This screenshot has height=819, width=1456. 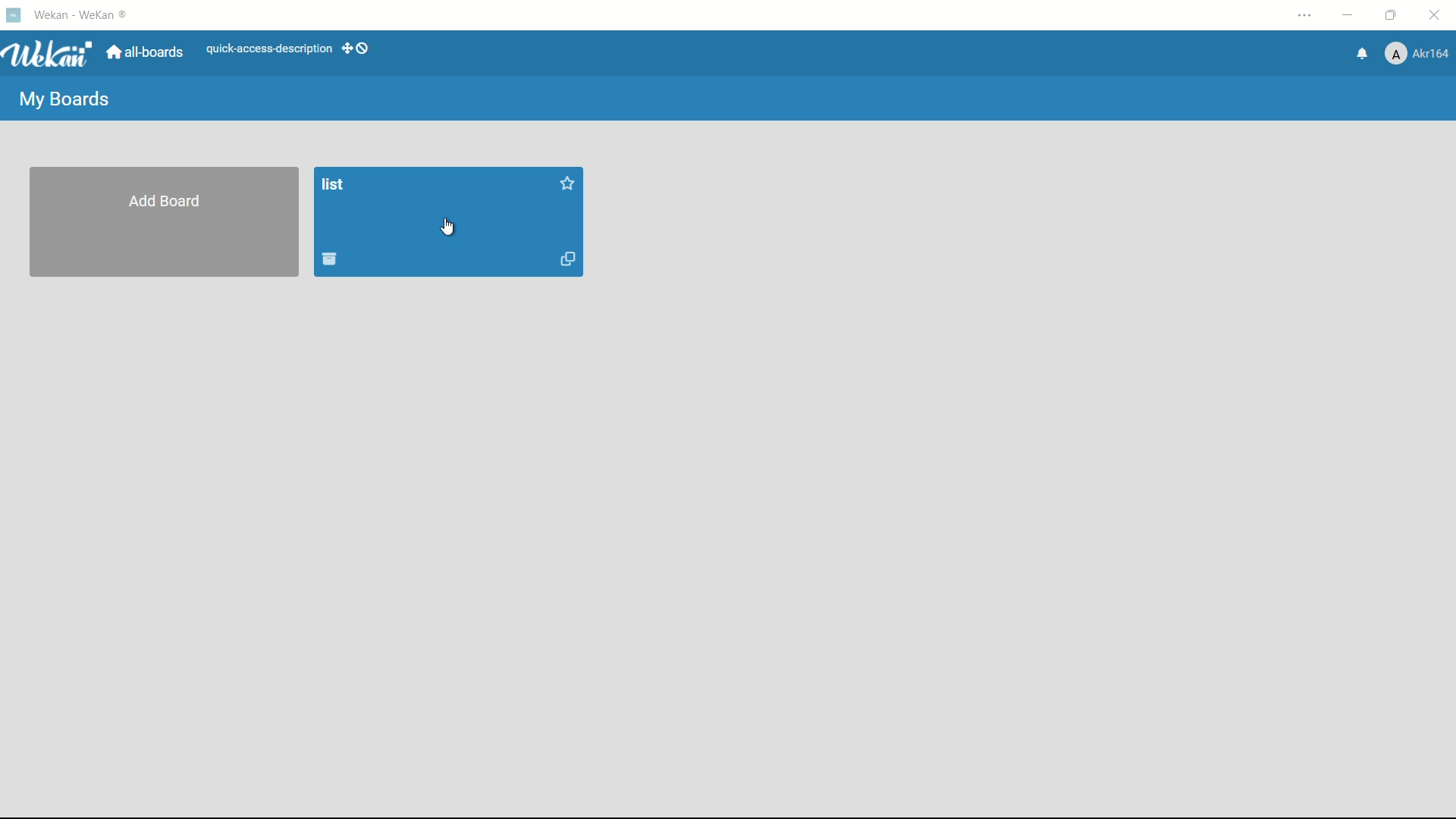 What do you see at coordinates (85, 16) in the screenshot?
I see `app name` at bounding box center [85, 16].